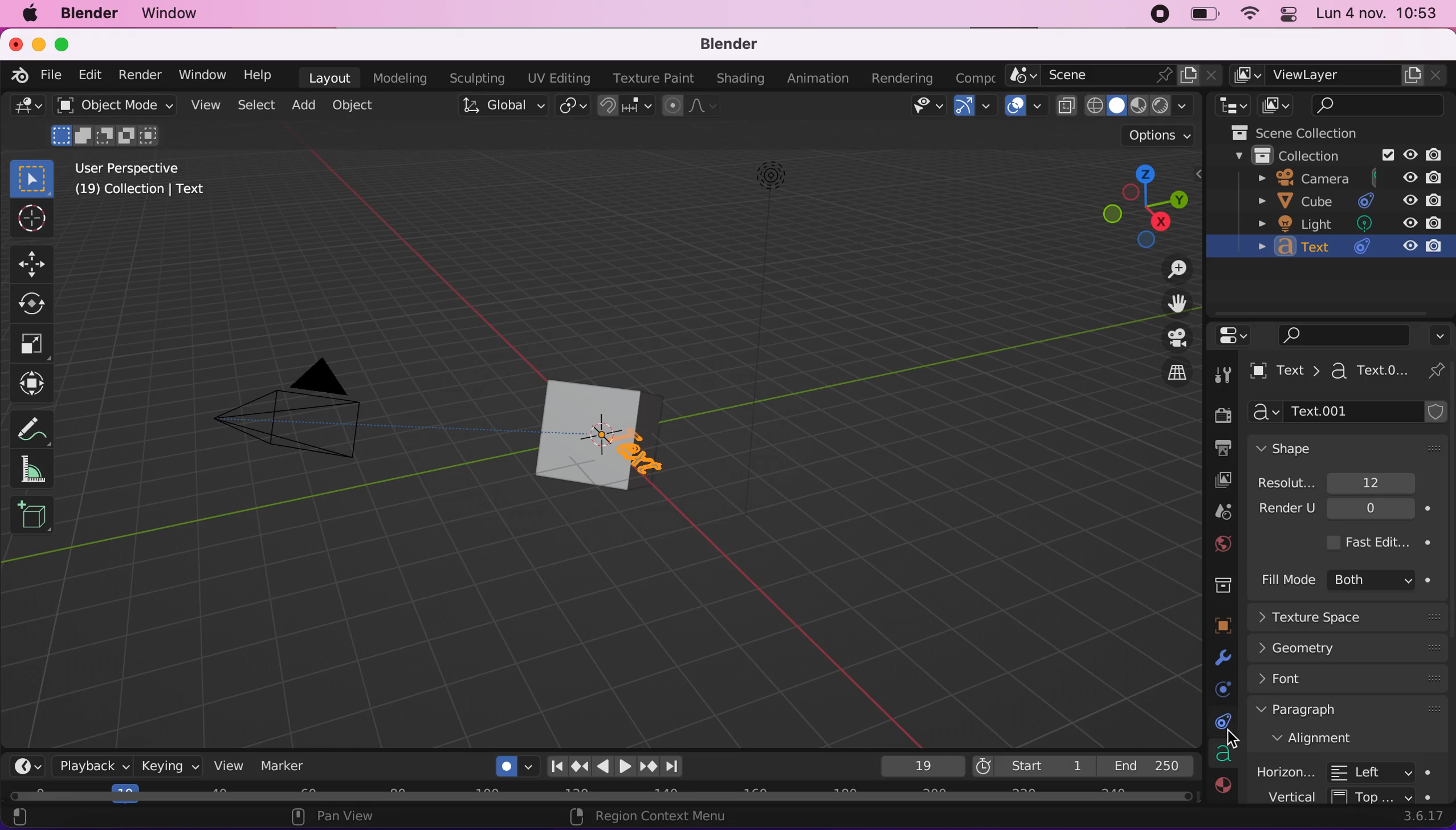 This screenshot has width=1456, height=830. What do you see at coordinates (38, 45) in the screenshot?
I see `minimize` at bounding box center [38, 45].